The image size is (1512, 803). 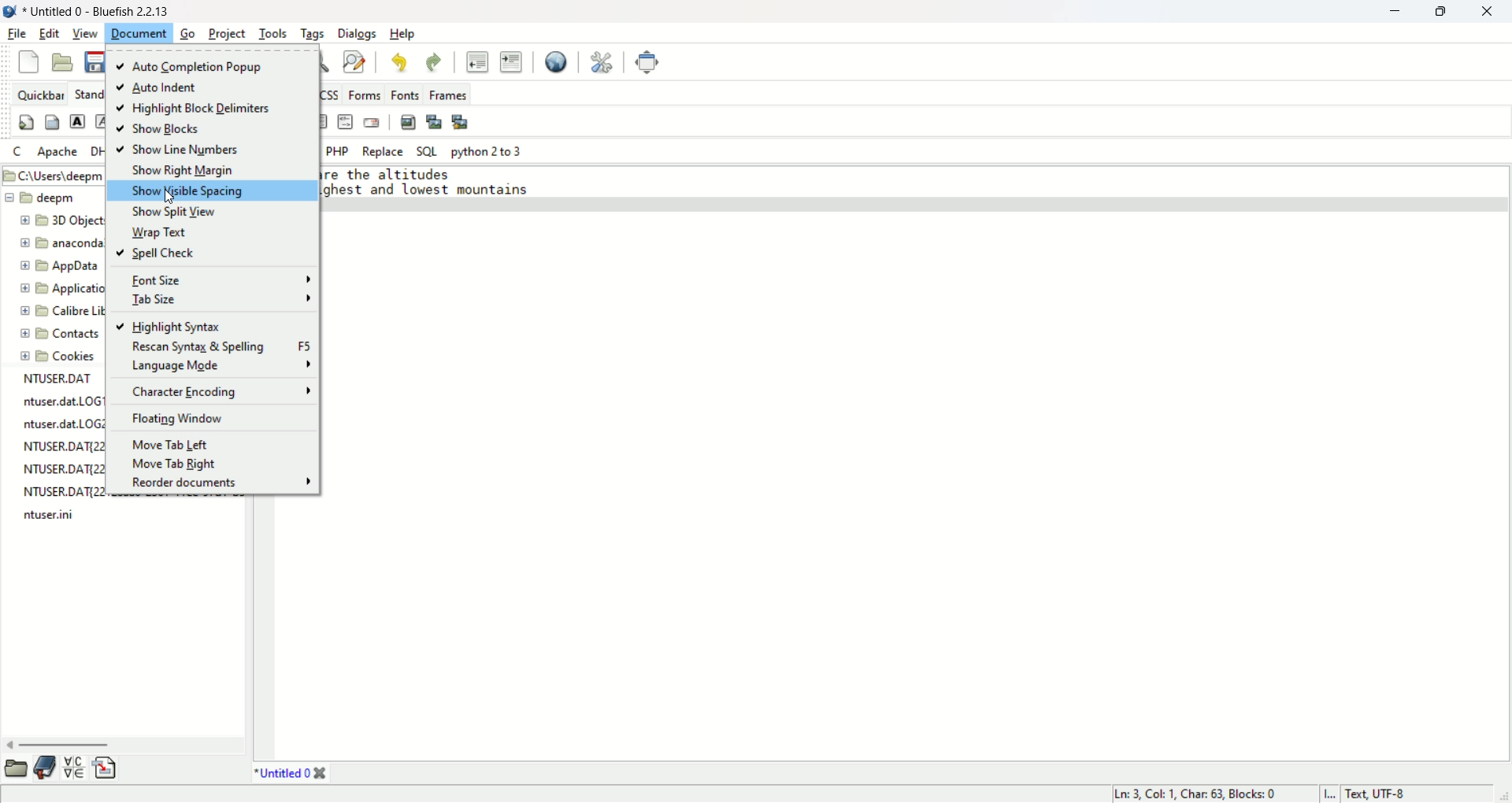 What do you see at coordinates (45, 766) in the screenshot?
I see `documentation` at bounding box center [45, 766].